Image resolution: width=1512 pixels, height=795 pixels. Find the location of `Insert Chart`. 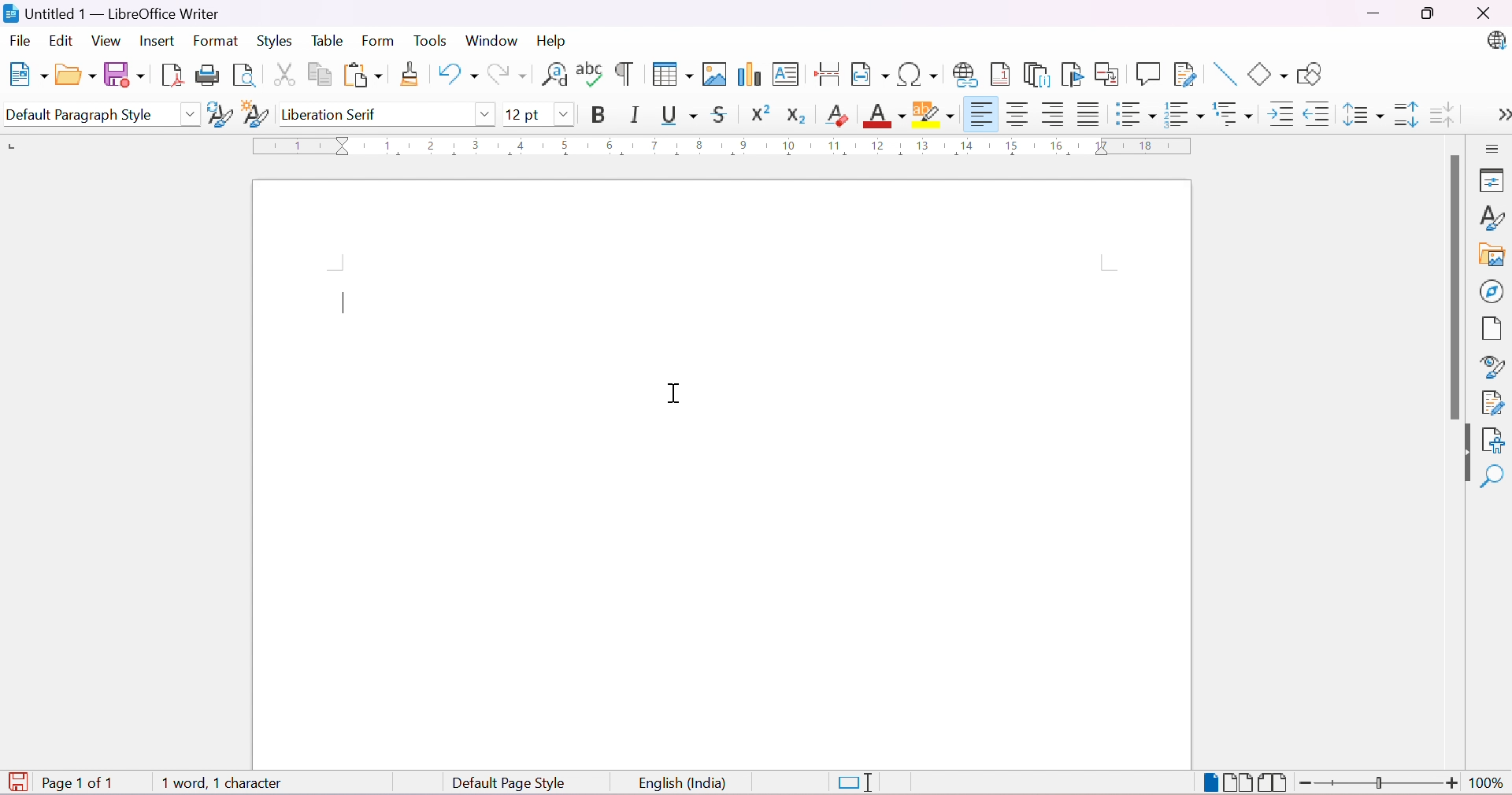

Insert Chart is located at coordinates (747, 74).